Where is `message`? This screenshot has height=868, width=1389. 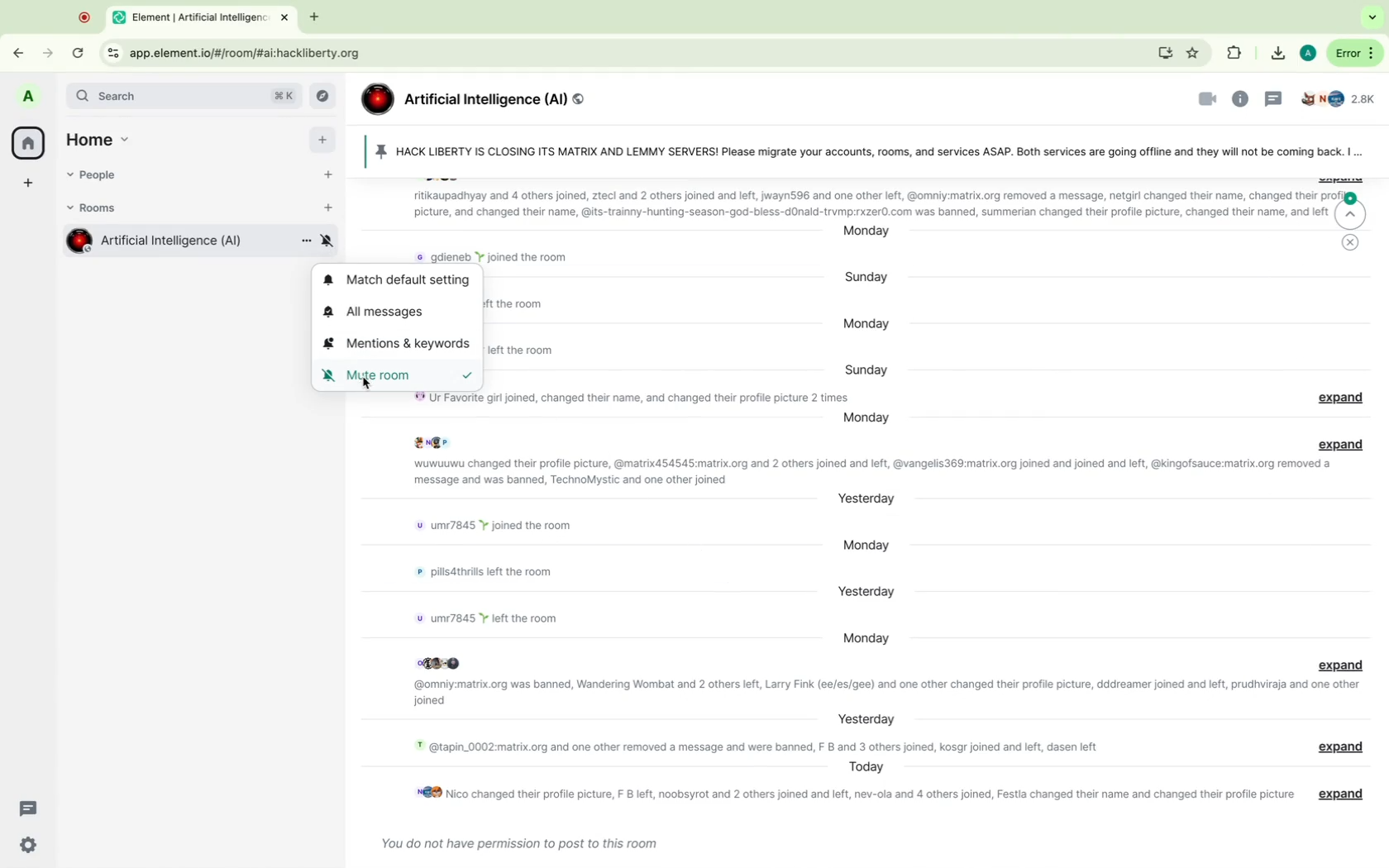 message is located at coordinates (497, 615).